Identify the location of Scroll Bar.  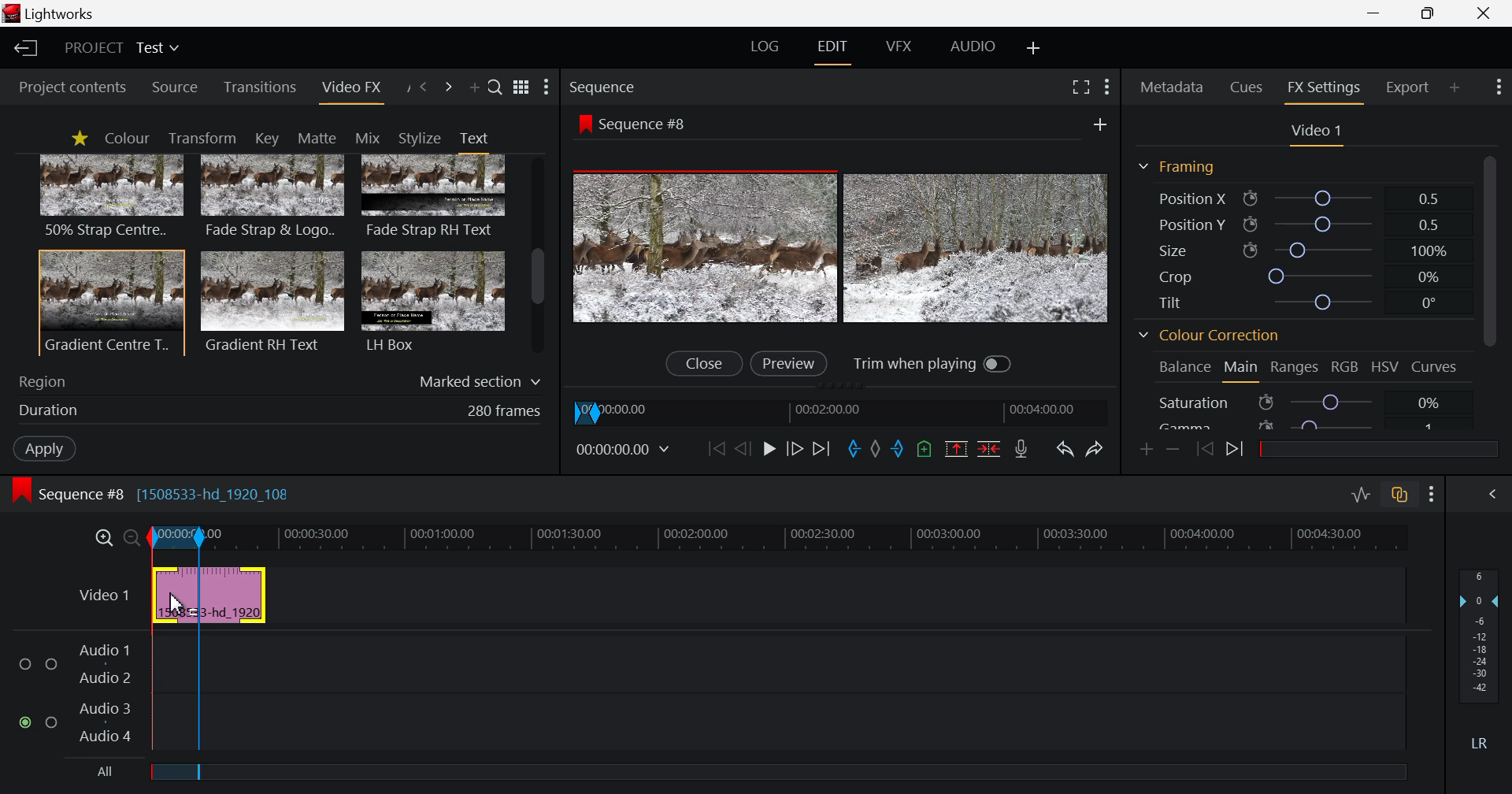
(538, 257).